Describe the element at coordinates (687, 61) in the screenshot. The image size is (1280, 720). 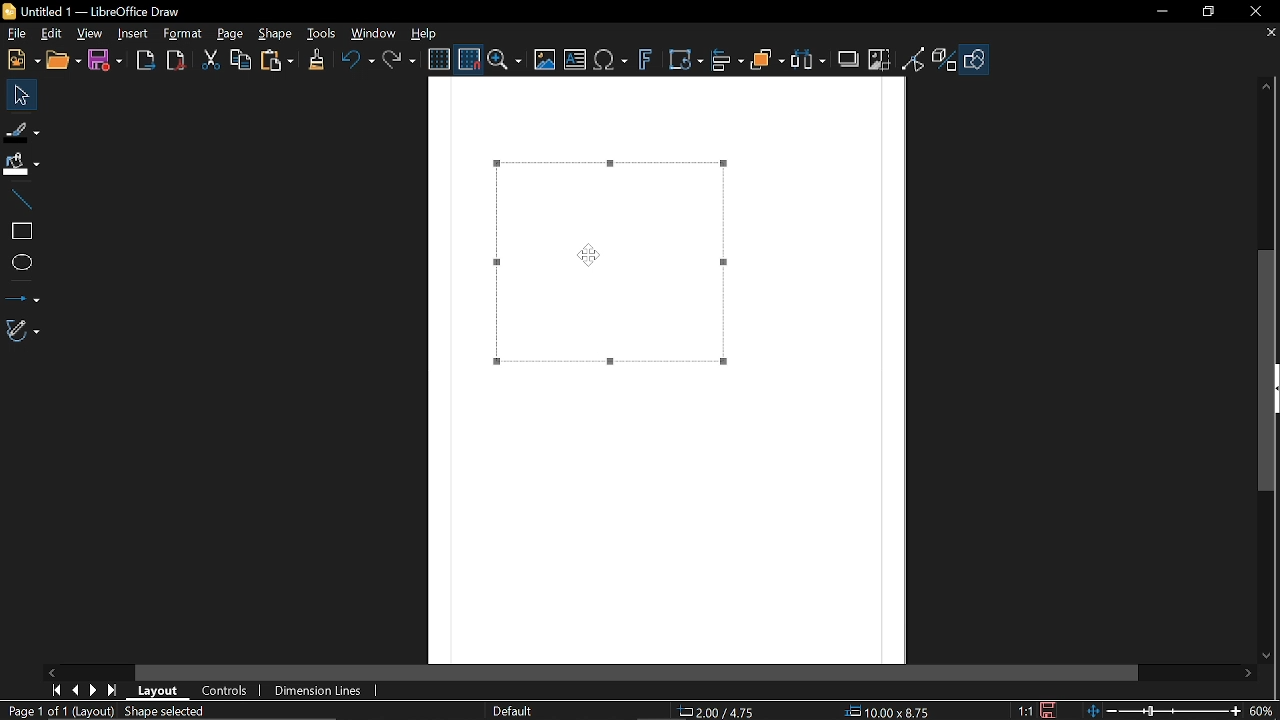
I see `Transformations` at that location.